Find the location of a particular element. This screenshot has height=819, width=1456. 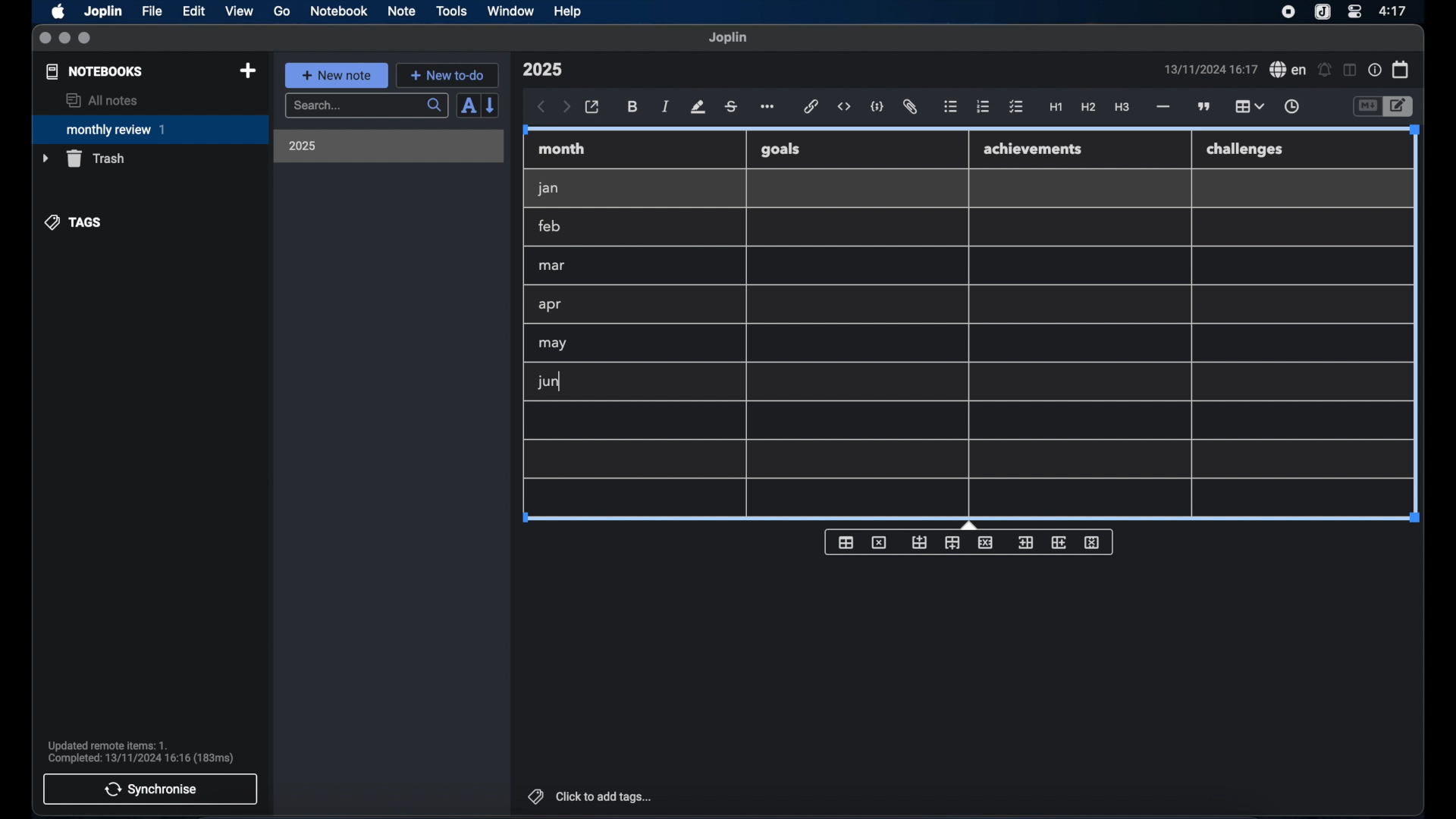

hyperlink is located at coordinates (811, 106).